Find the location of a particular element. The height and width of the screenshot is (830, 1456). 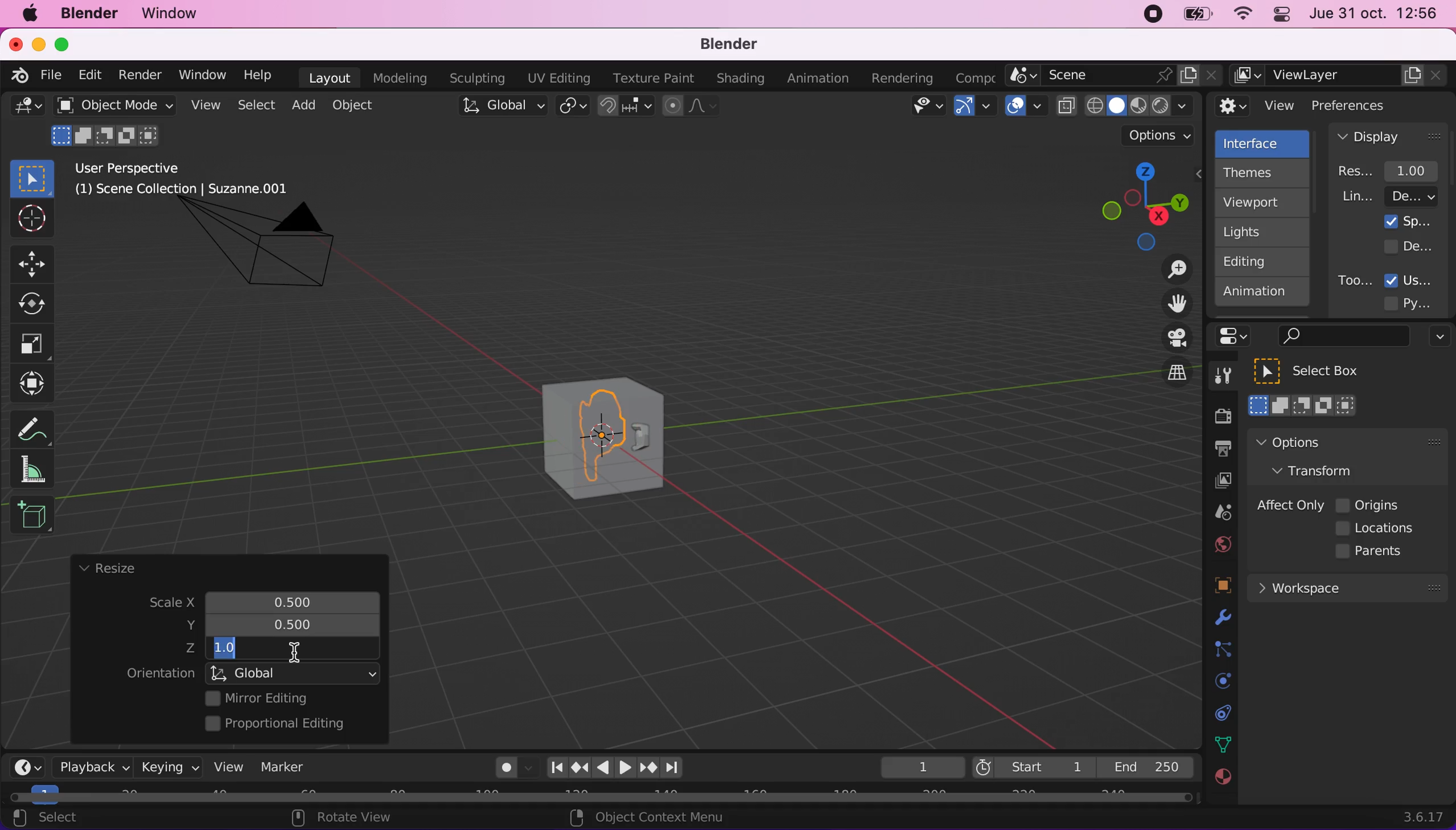

overlays is located at coordinates (1026, 107).